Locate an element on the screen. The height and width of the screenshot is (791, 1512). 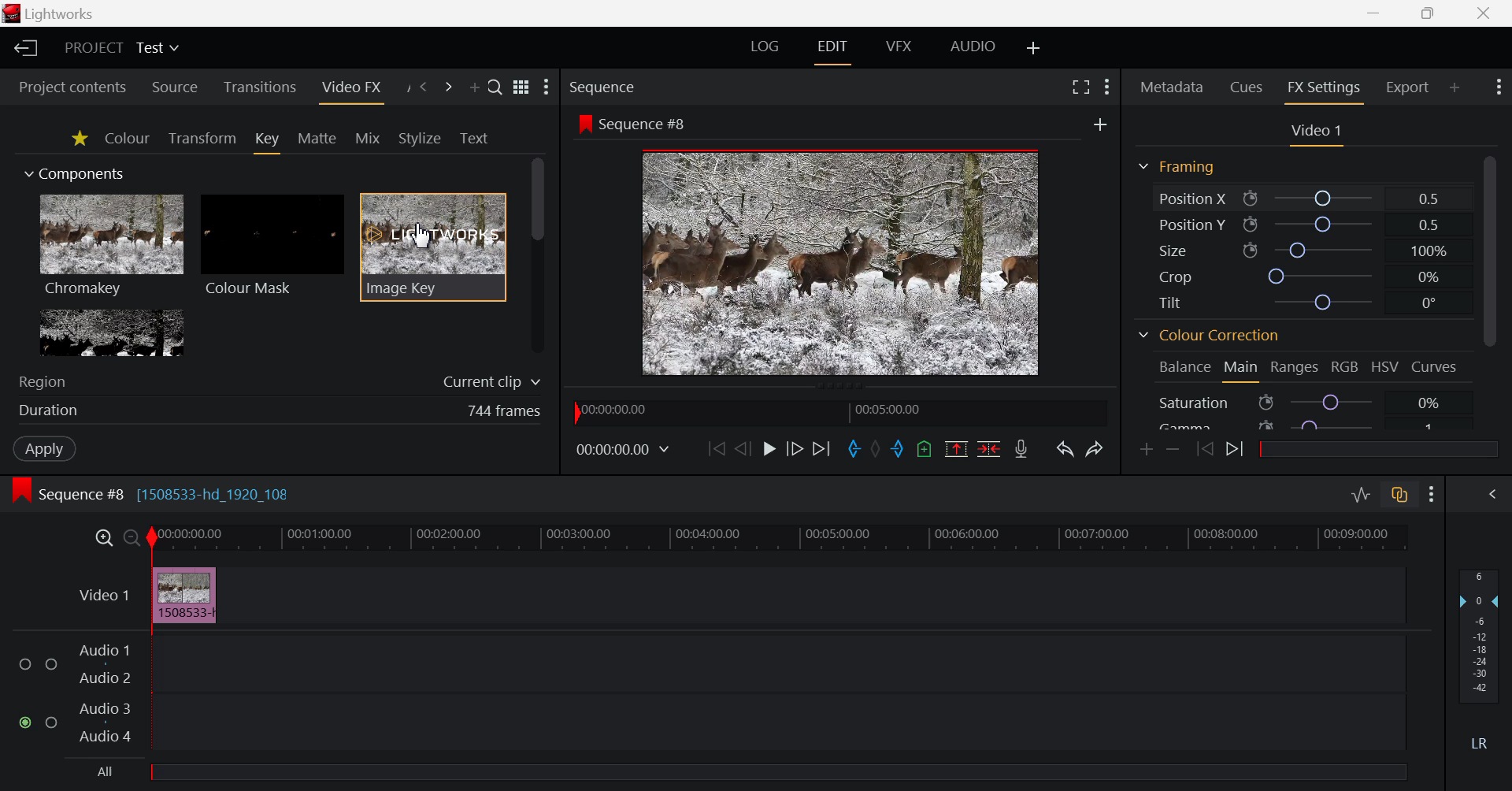
Size is located at coordinates (1175, 251).